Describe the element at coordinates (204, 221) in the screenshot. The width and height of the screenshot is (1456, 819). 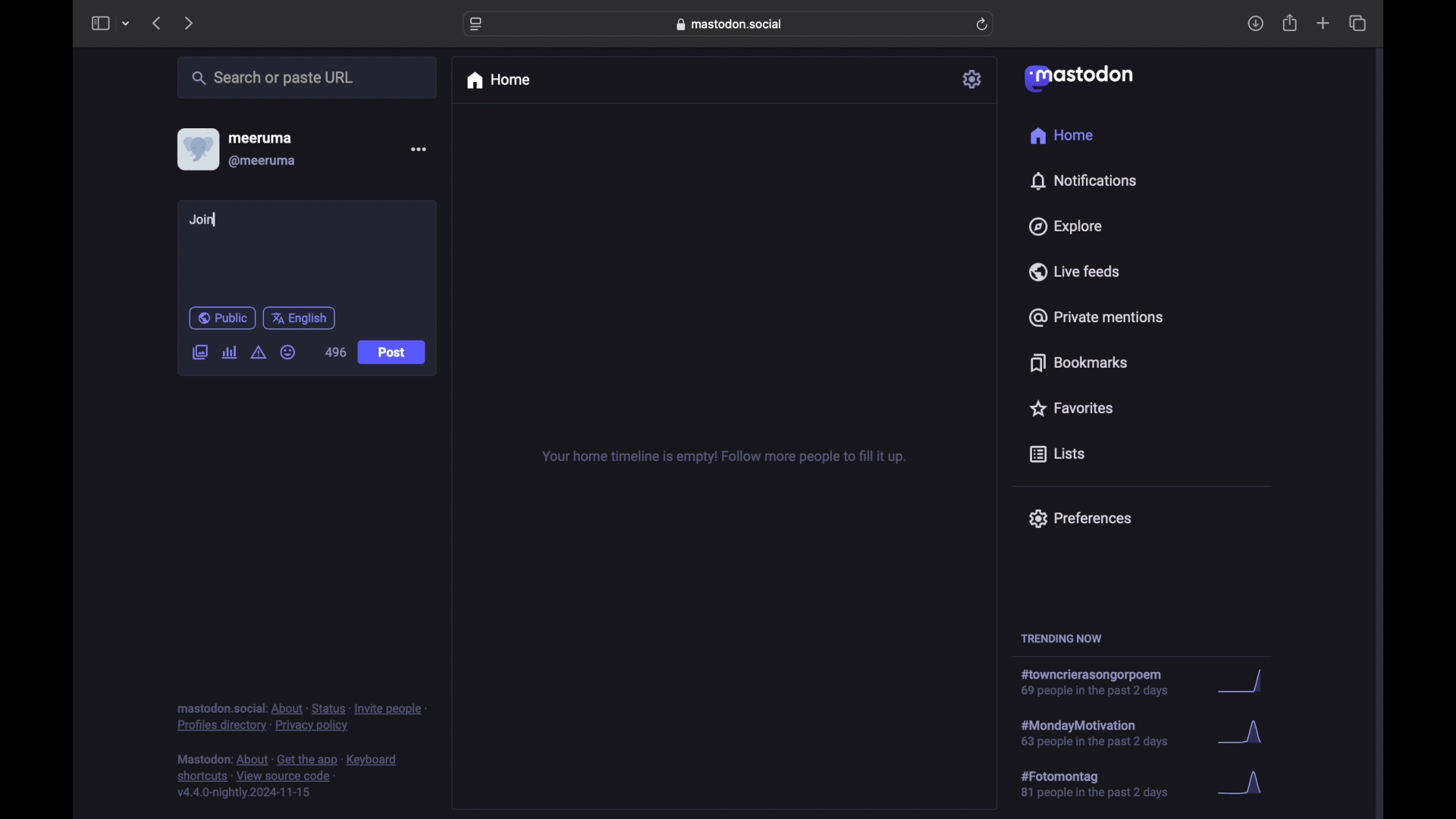
I see `join` at that location.